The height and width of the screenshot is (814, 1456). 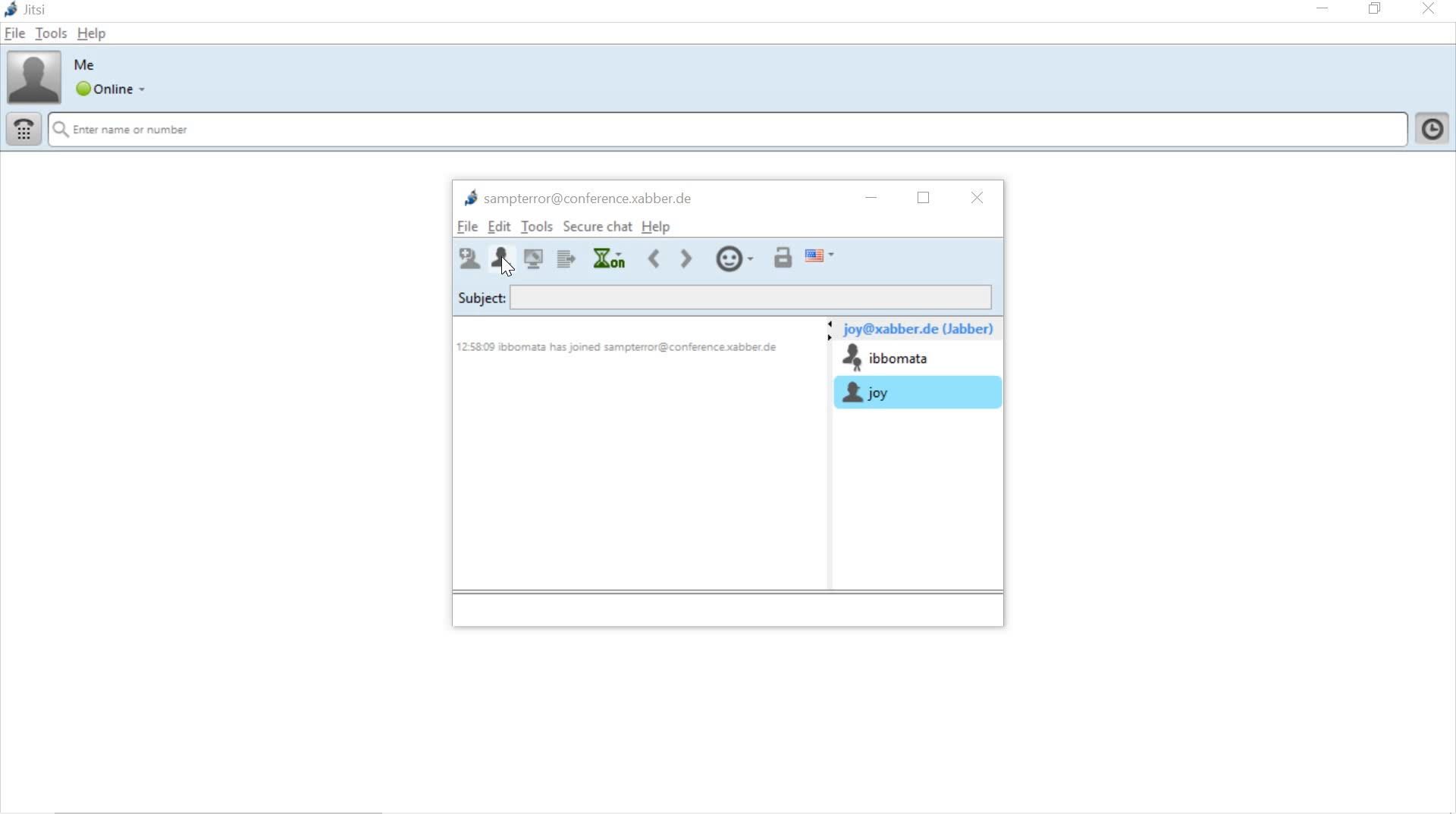 What do you see at coordinates (733, 261) in the screenshot?
I see `insert smilie` at bounding box center [733, 261].